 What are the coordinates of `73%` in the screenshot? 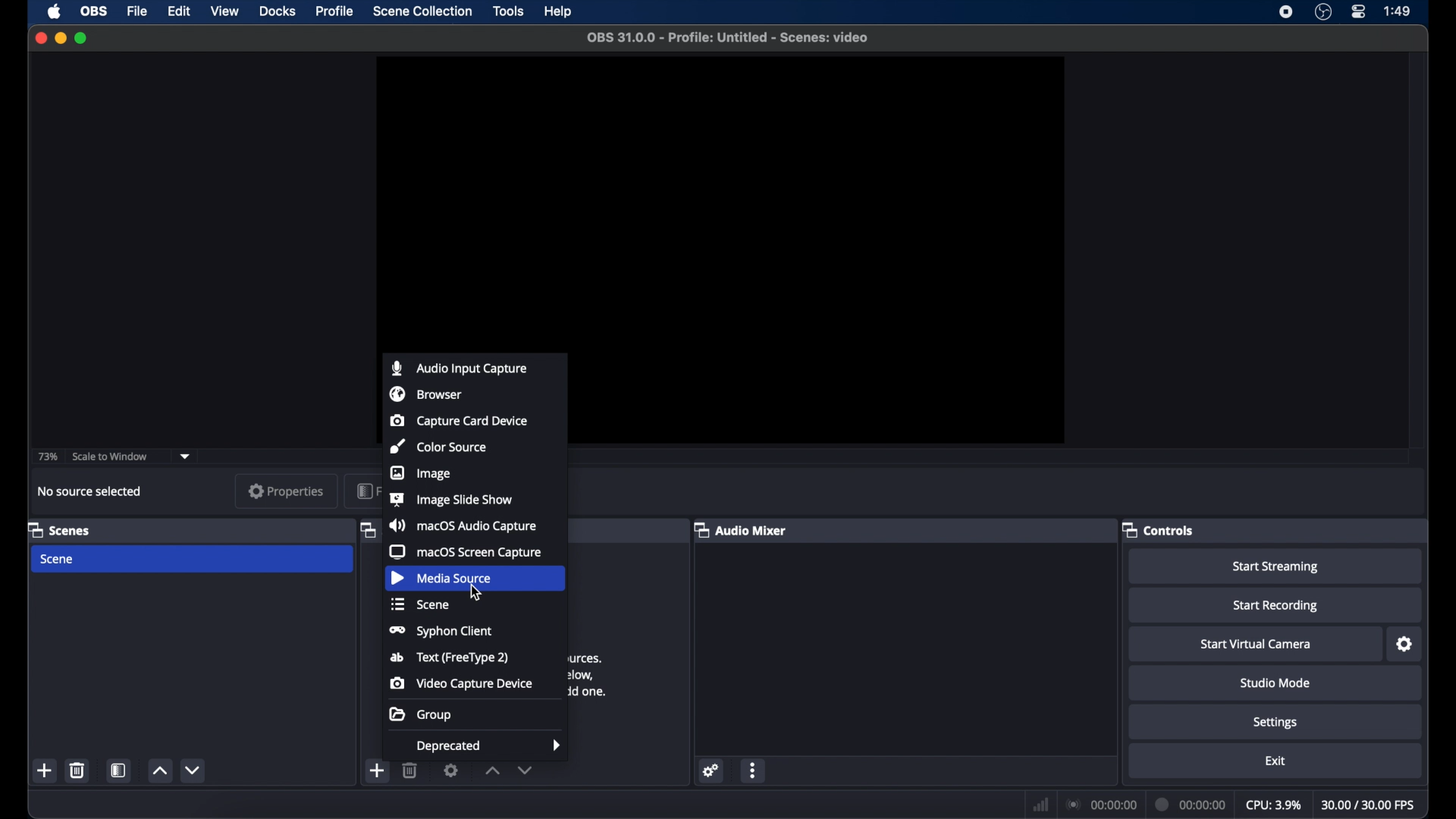 It's located at (47, 457).